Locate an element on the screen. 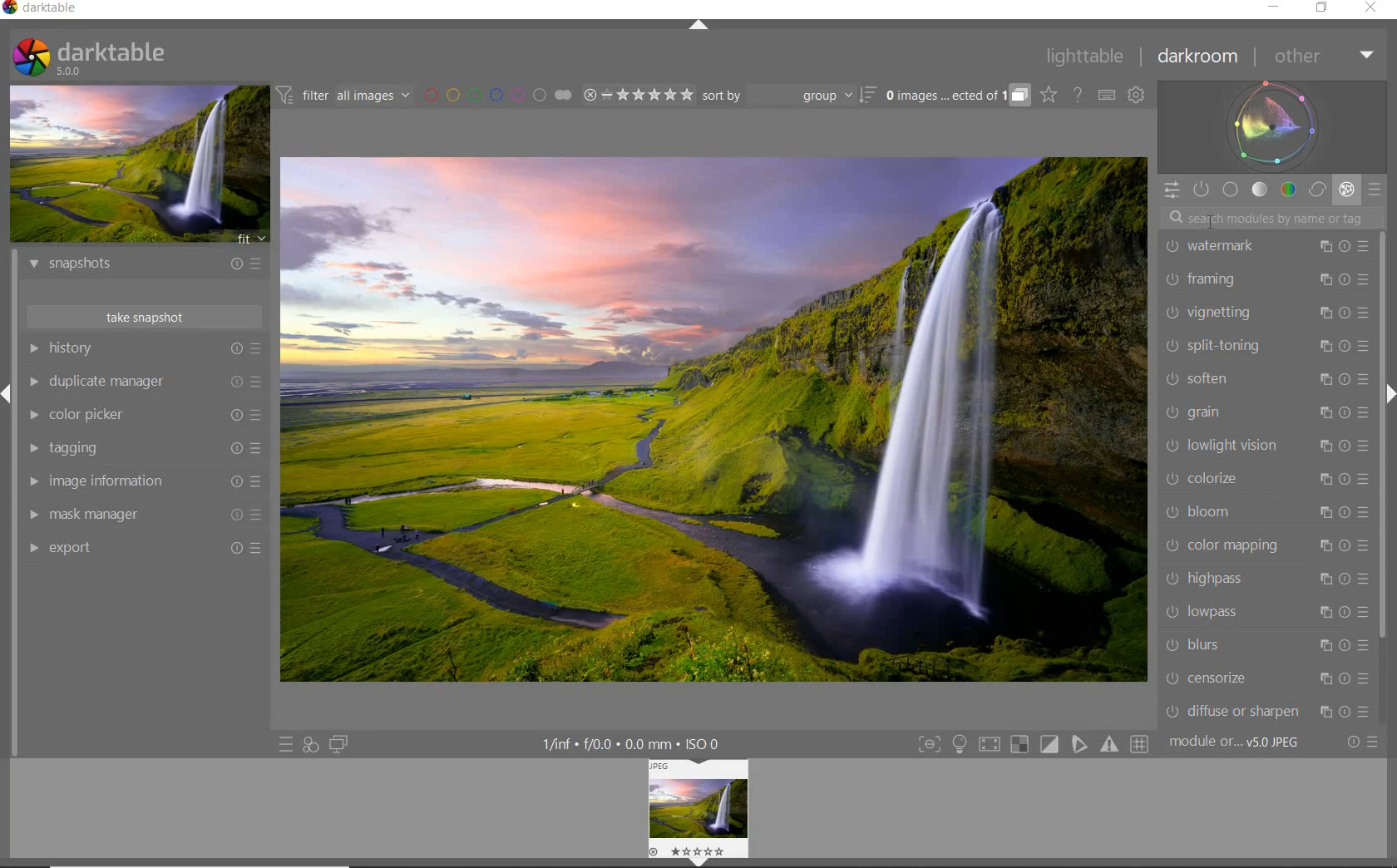 The image size is (1397, 868). censorize is located at coordinates (1267, 678).